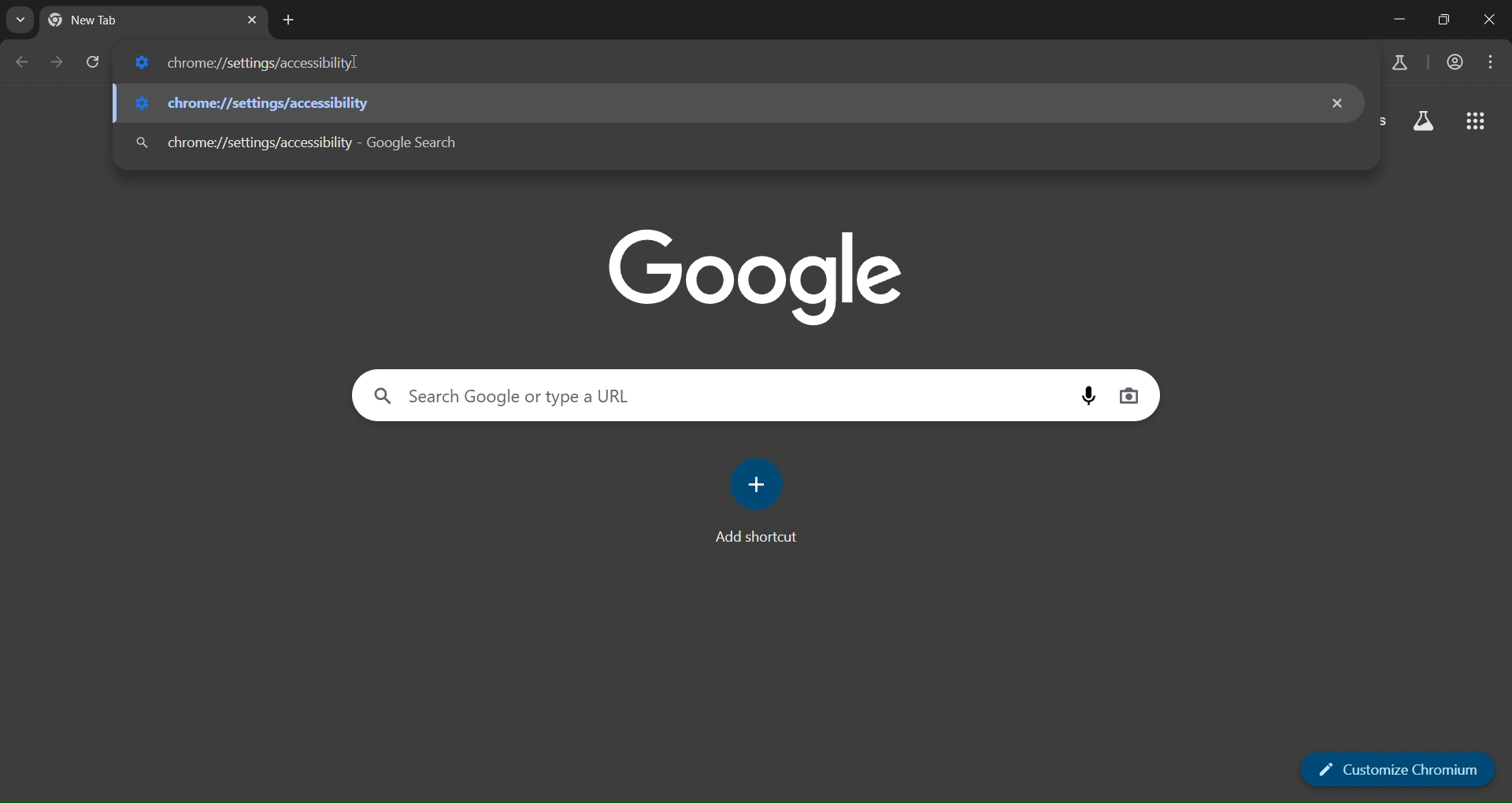  Describe the element at coordinates (753, 272) in the screenshot. I see `google` at that location.